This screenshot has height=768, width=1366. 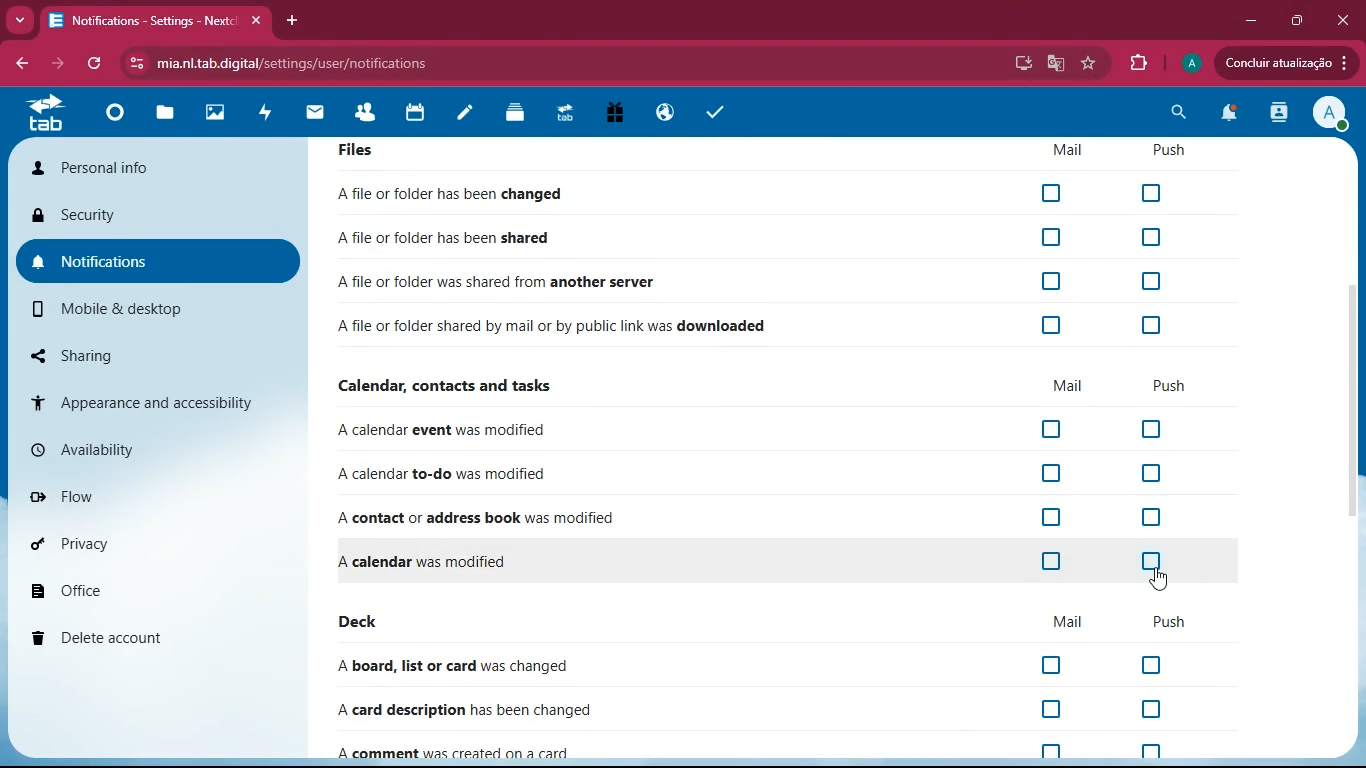 I want to click on event, so click(x=543, y=430).